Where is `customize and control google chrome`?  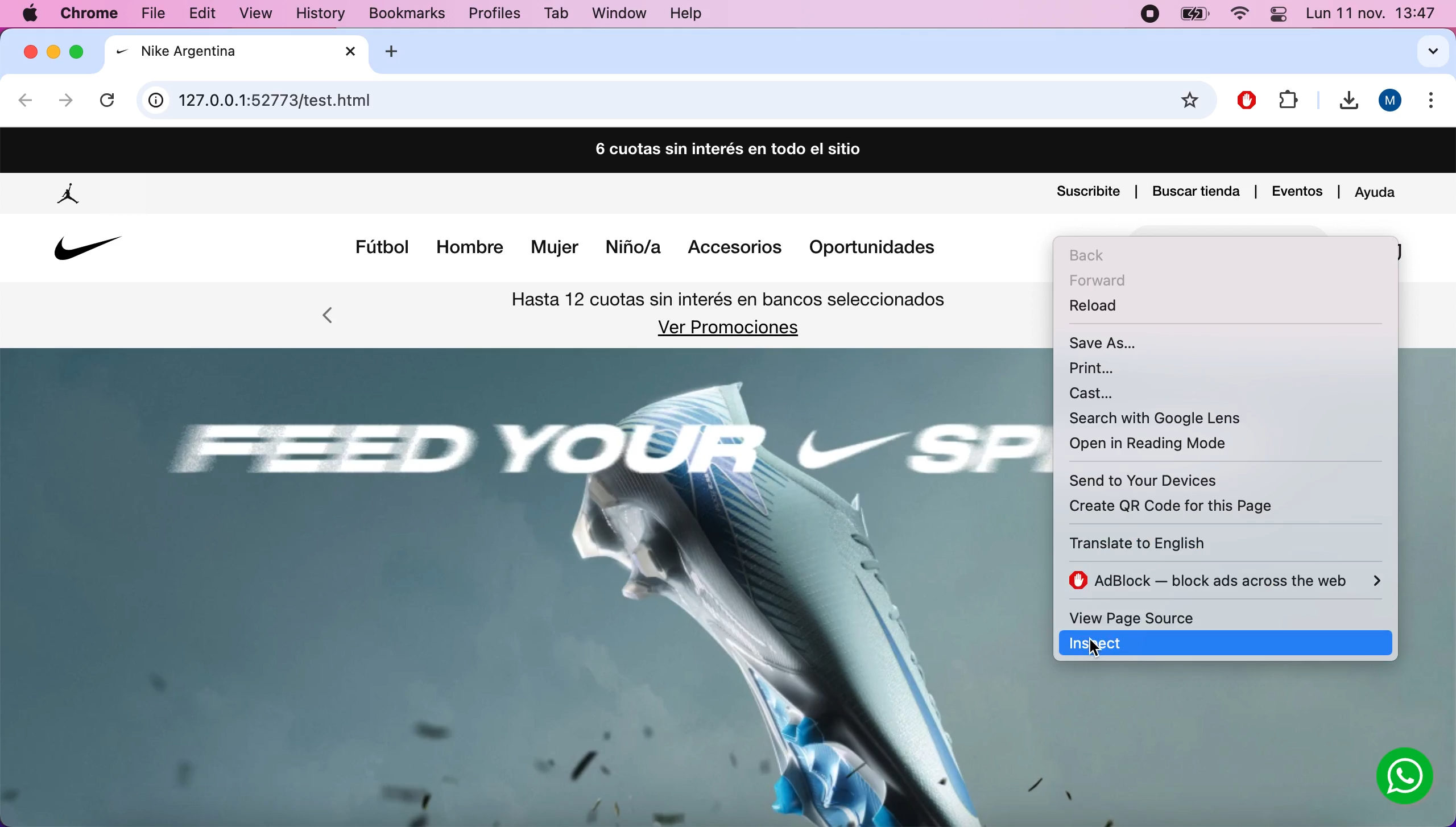 customize and control google chrome is located at coordinates (1435, 104).